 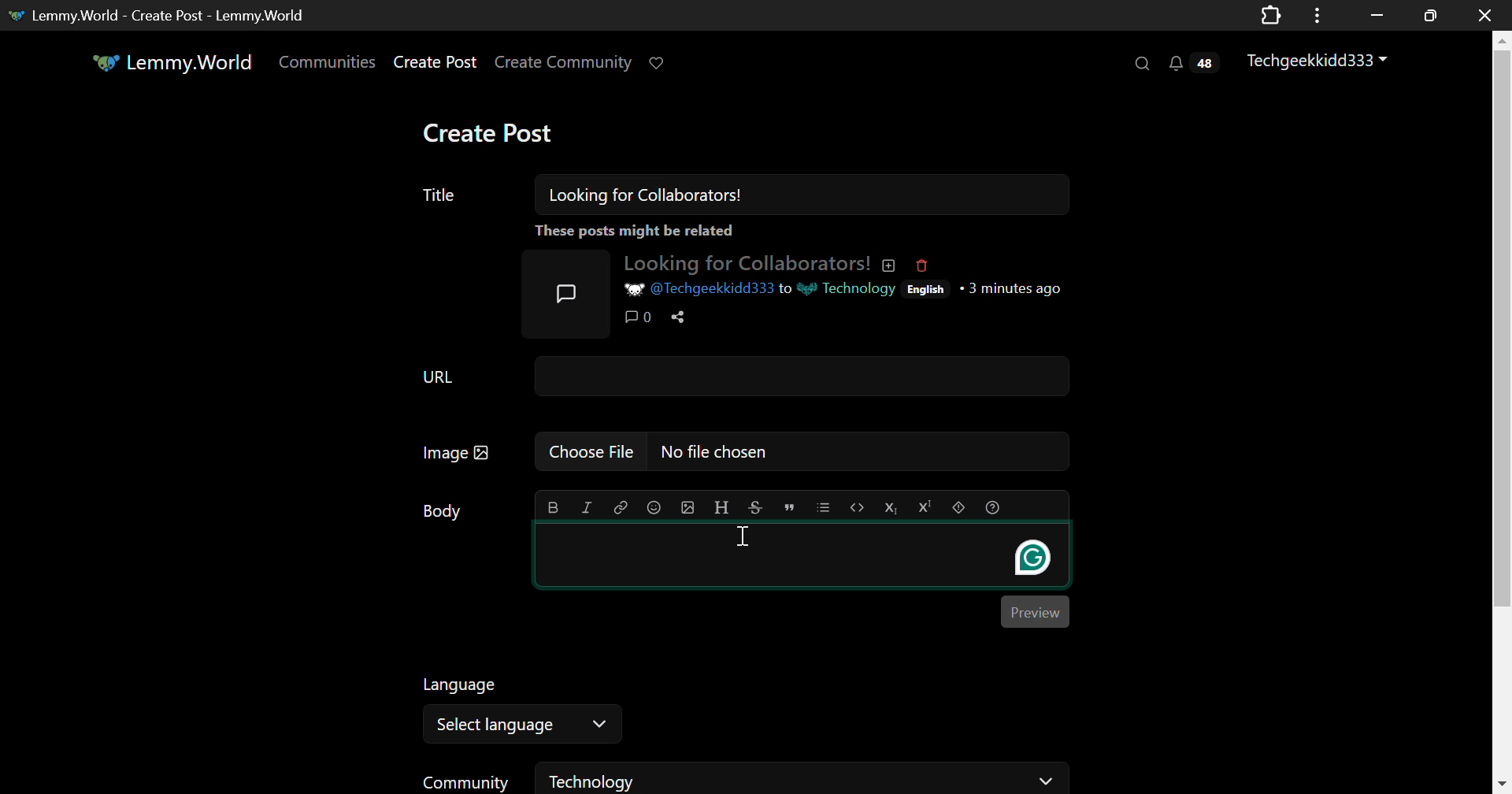 What do you see at coordinates (491, 132) in the screenshot?
I see `Create Post ` at bounding box center [491, 132].